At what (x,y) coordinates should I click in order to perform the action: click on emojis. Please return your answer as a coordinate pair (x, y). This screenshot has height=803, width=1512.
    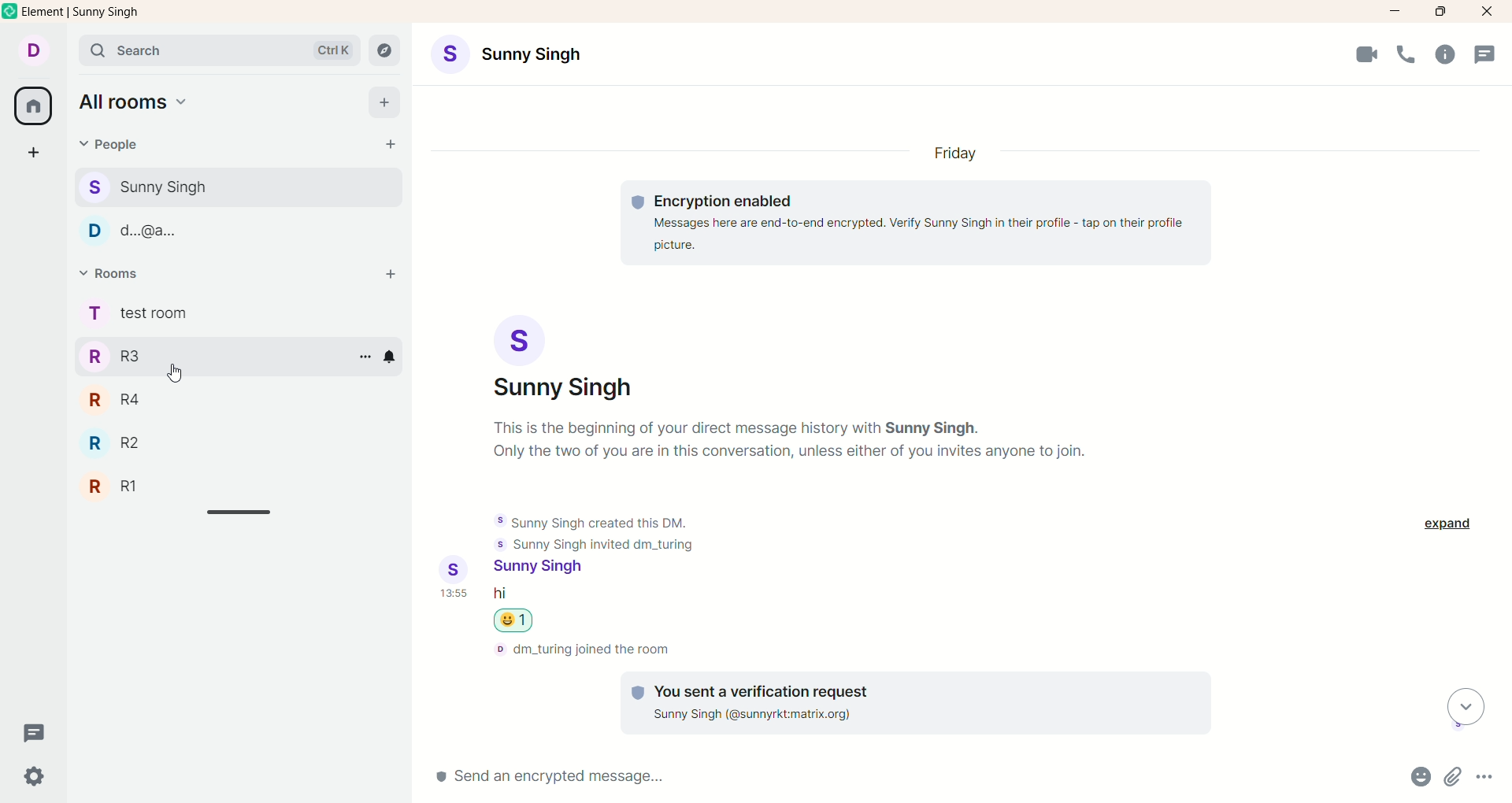
    Looking at the image, I should click on (1414, 779).